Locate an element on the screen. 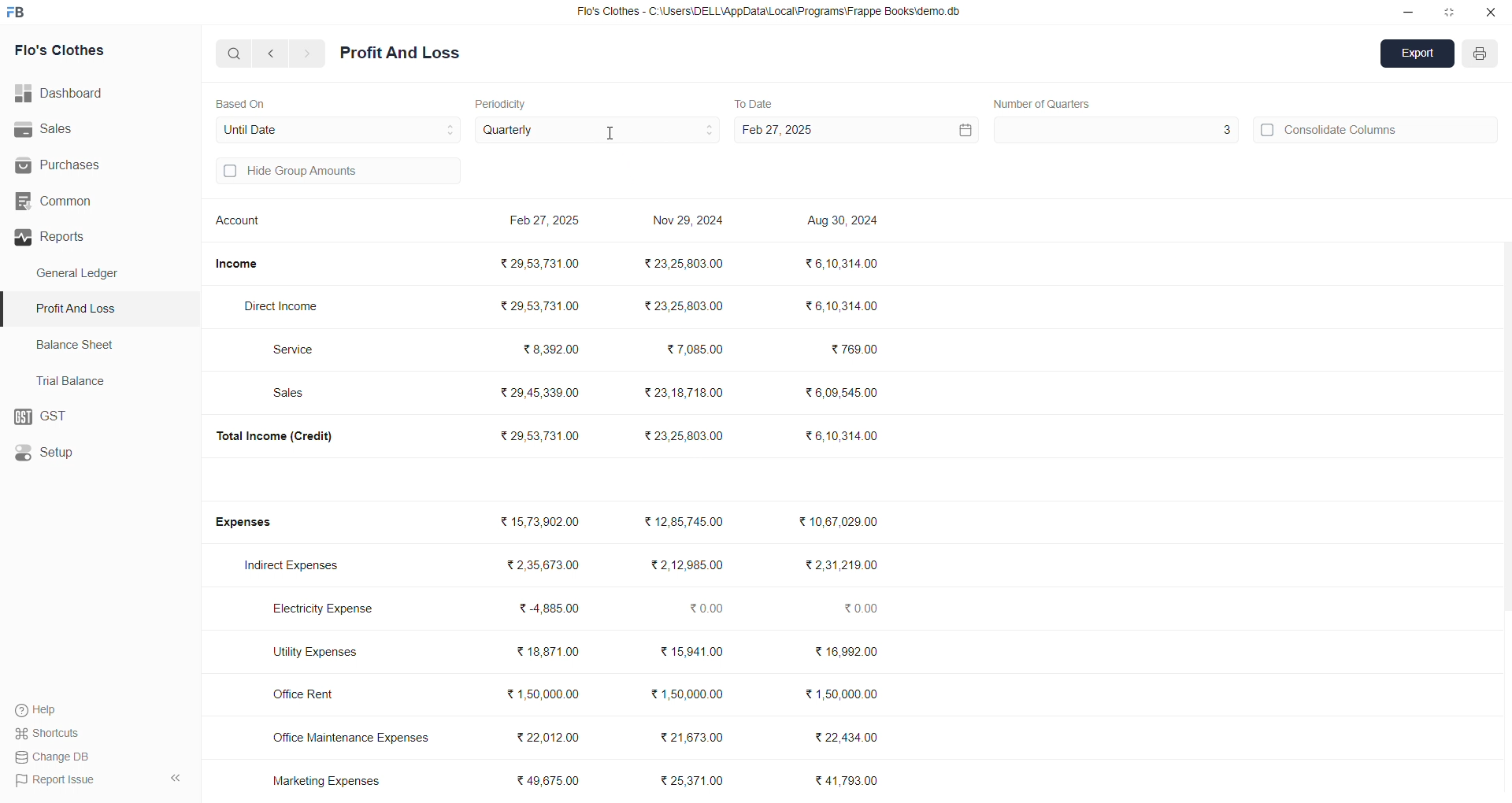 The height and width of the screenshot is (803, 1512). navigate backward is located at coordinates (273, 53).